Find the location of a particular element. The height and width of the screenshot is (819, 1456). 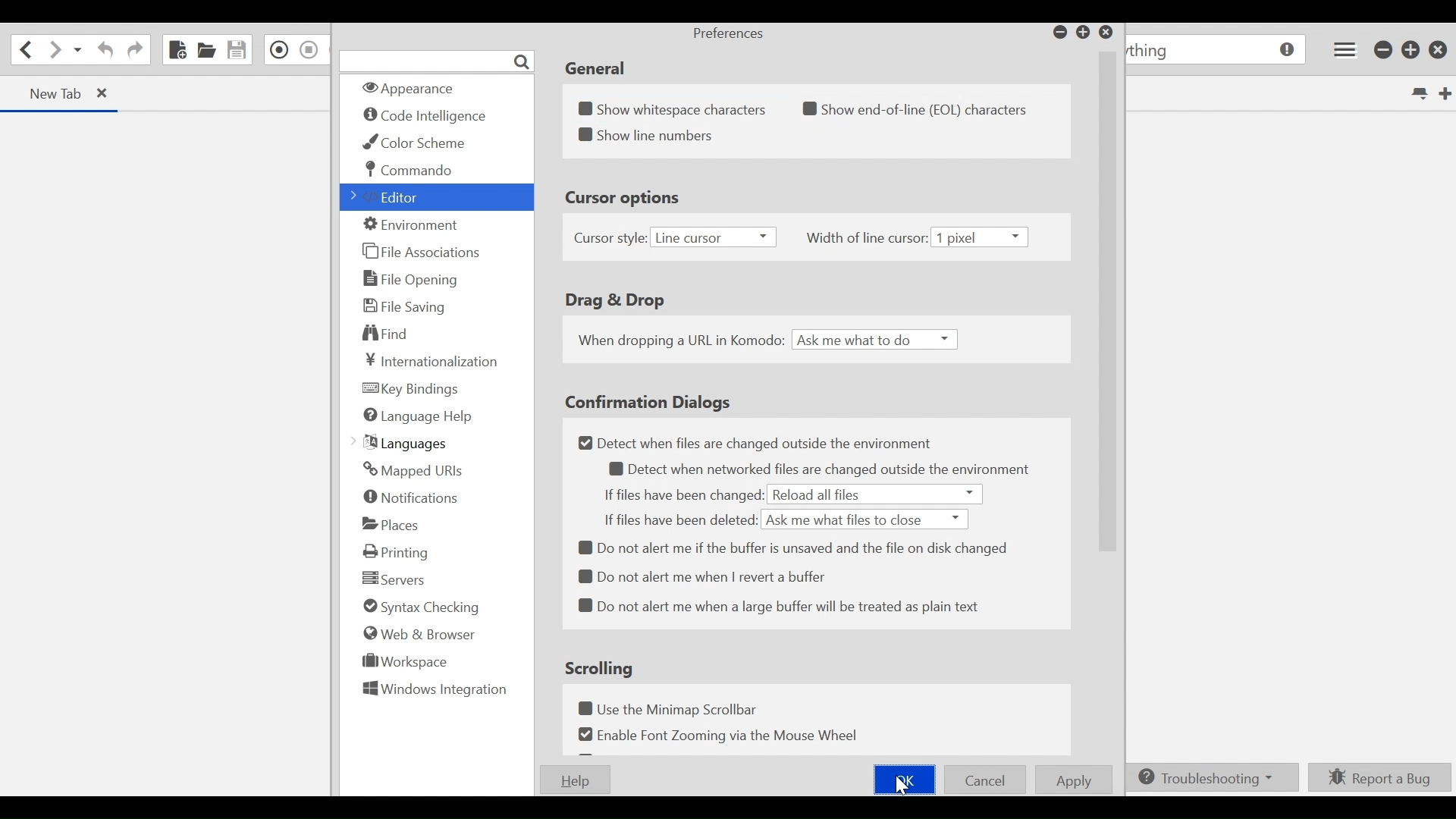

Report a bug is located at coordinates (1377, 778).